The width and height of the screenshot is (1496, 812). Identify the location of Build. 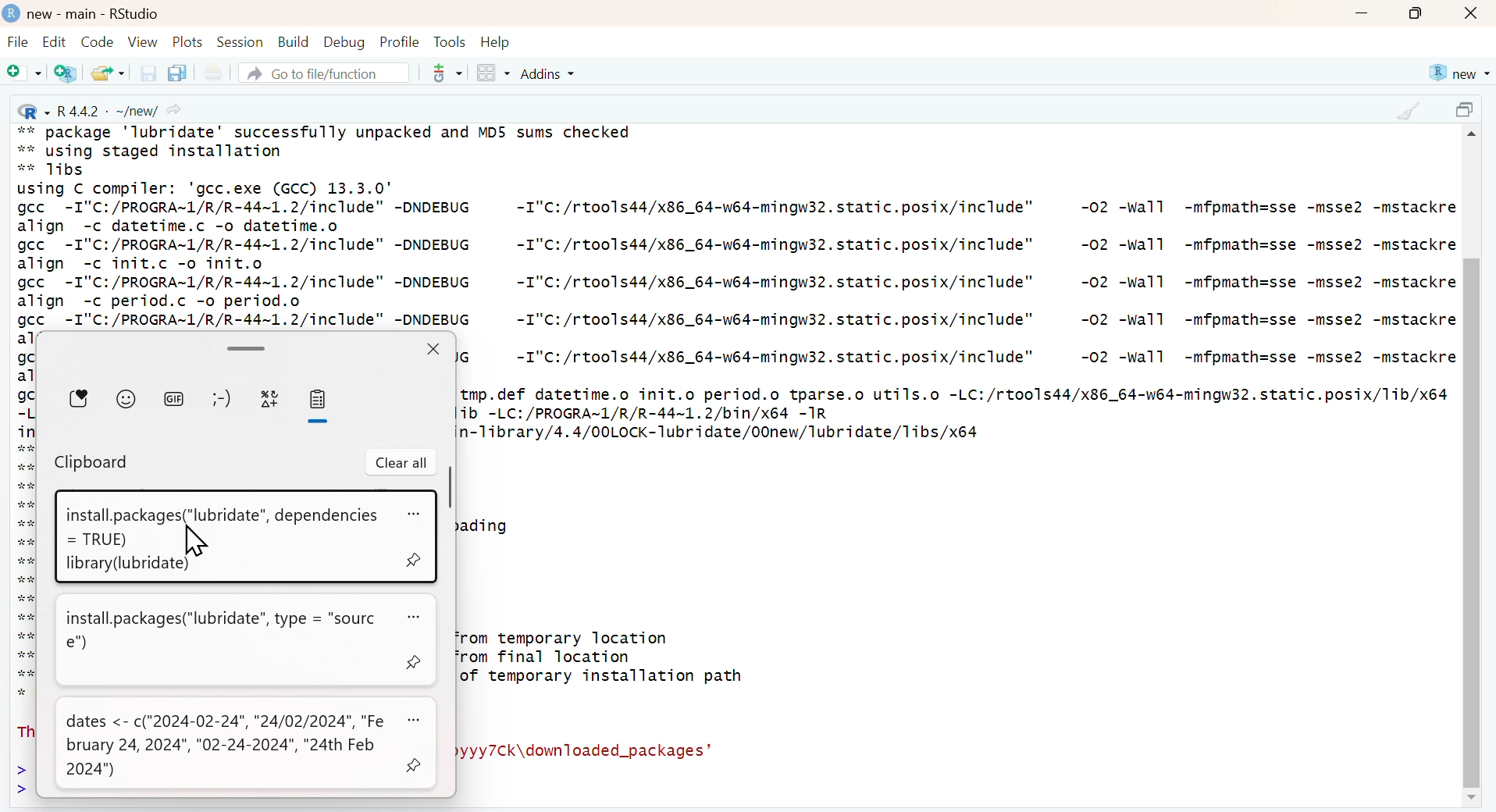
(293, 42).